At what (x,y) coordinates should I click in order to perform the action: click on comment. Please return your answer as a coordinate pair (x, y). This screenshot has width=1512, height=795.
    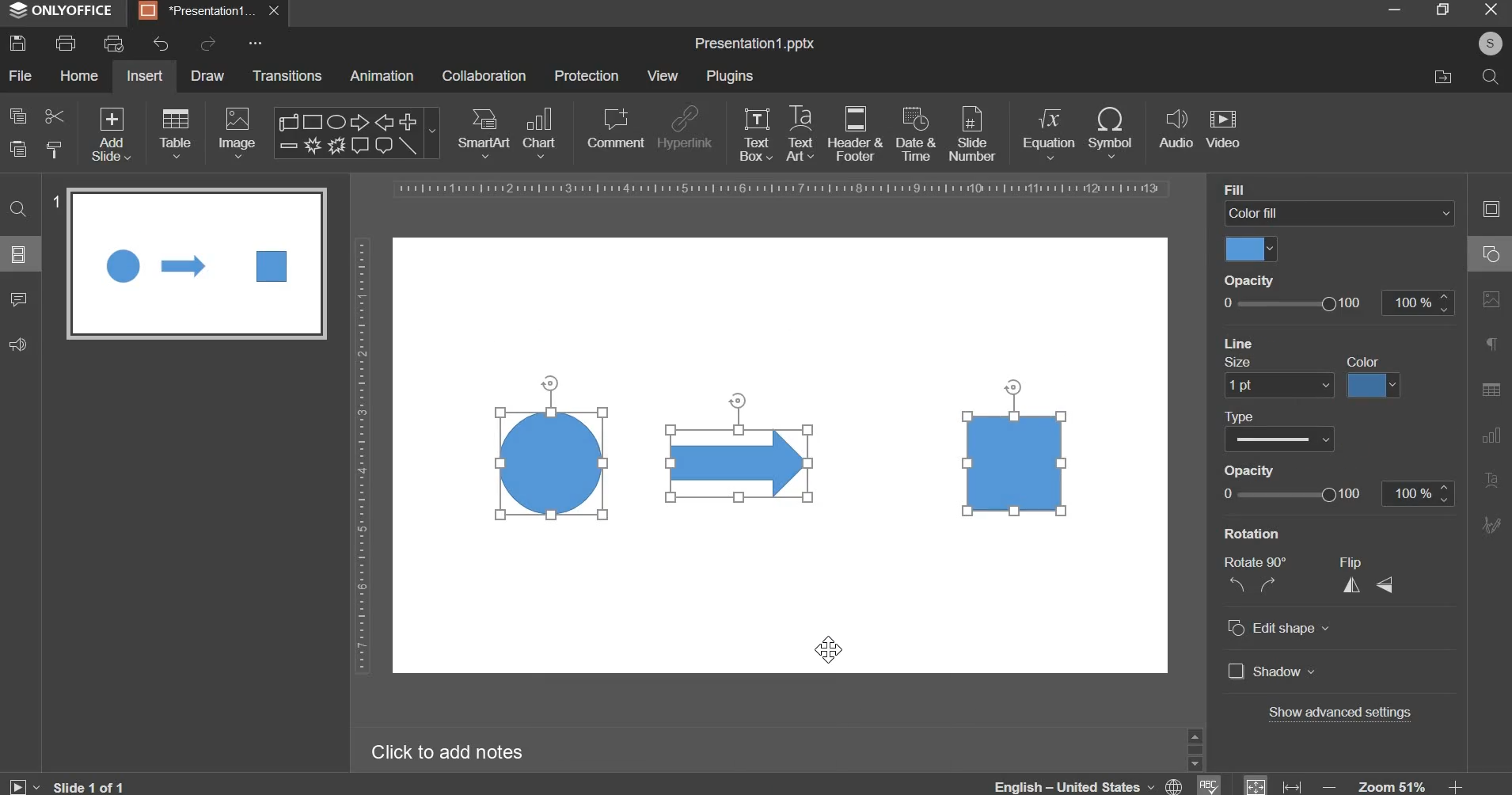
    Looking at the image, I should click on (17, 298).